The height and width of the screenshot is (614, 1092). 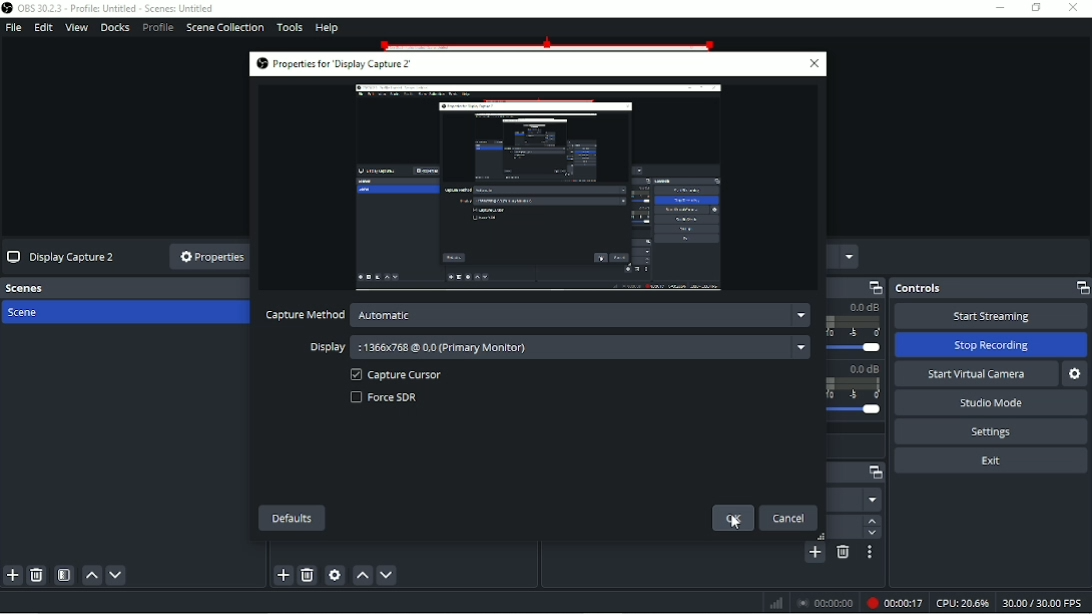 I want to click on Minimize, so click(x=1000, y=8).